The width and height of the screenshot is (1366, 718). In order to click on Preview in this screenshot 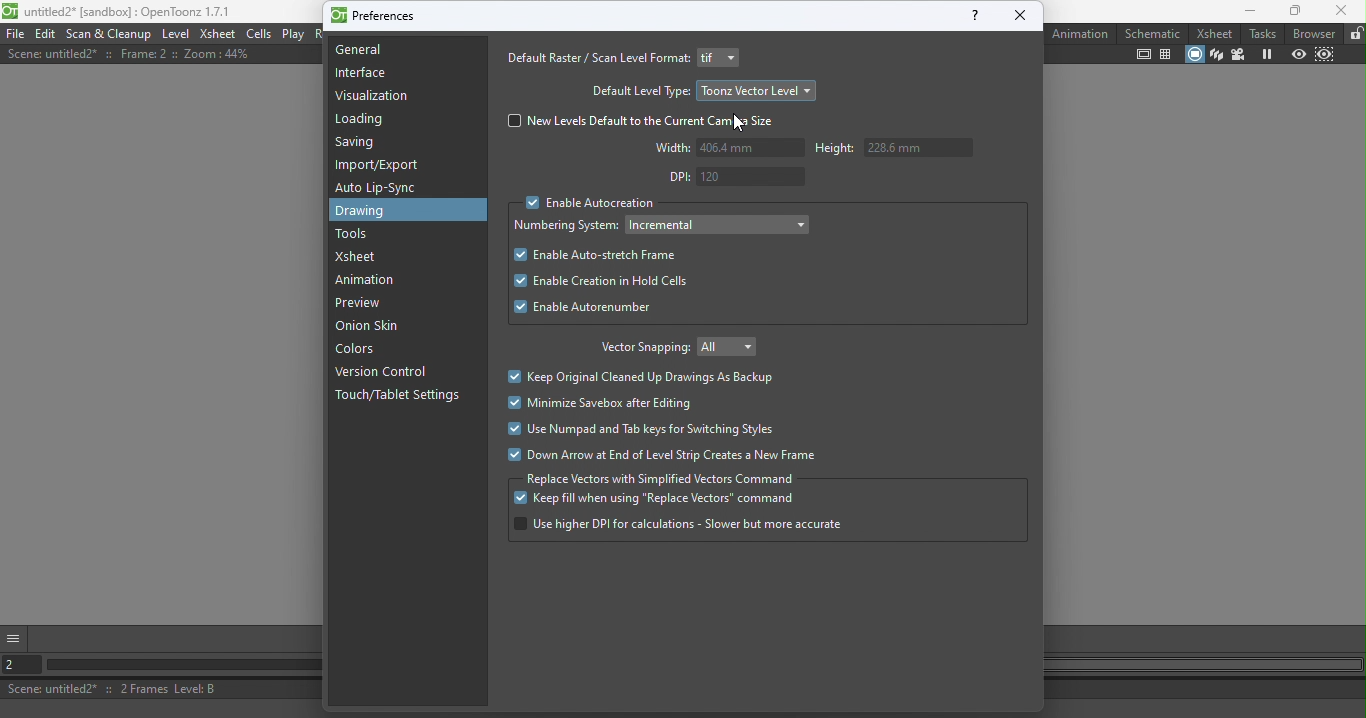, I will do `click(357, 304)`.